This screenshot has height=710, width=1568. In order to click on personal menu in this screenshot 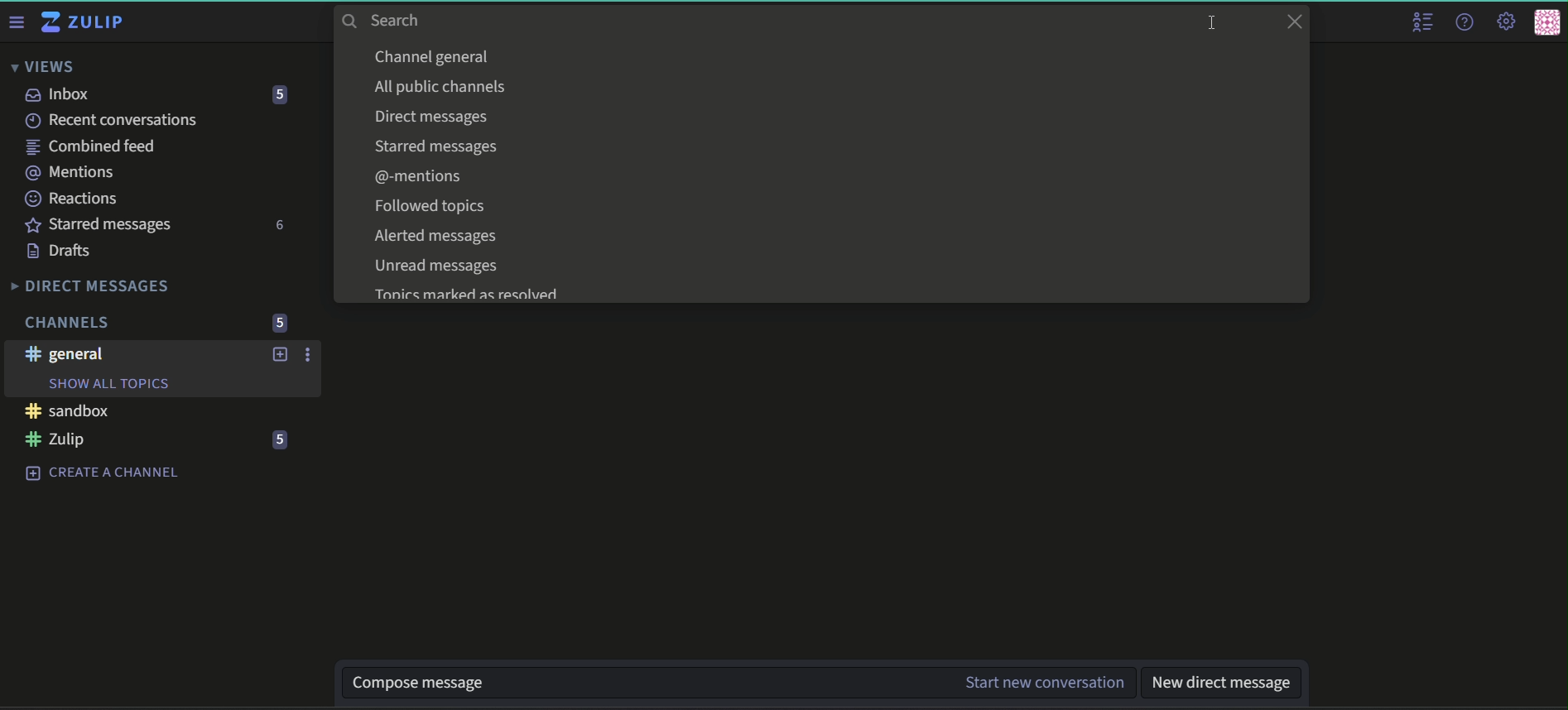, I will do `click(1548, 21)`.